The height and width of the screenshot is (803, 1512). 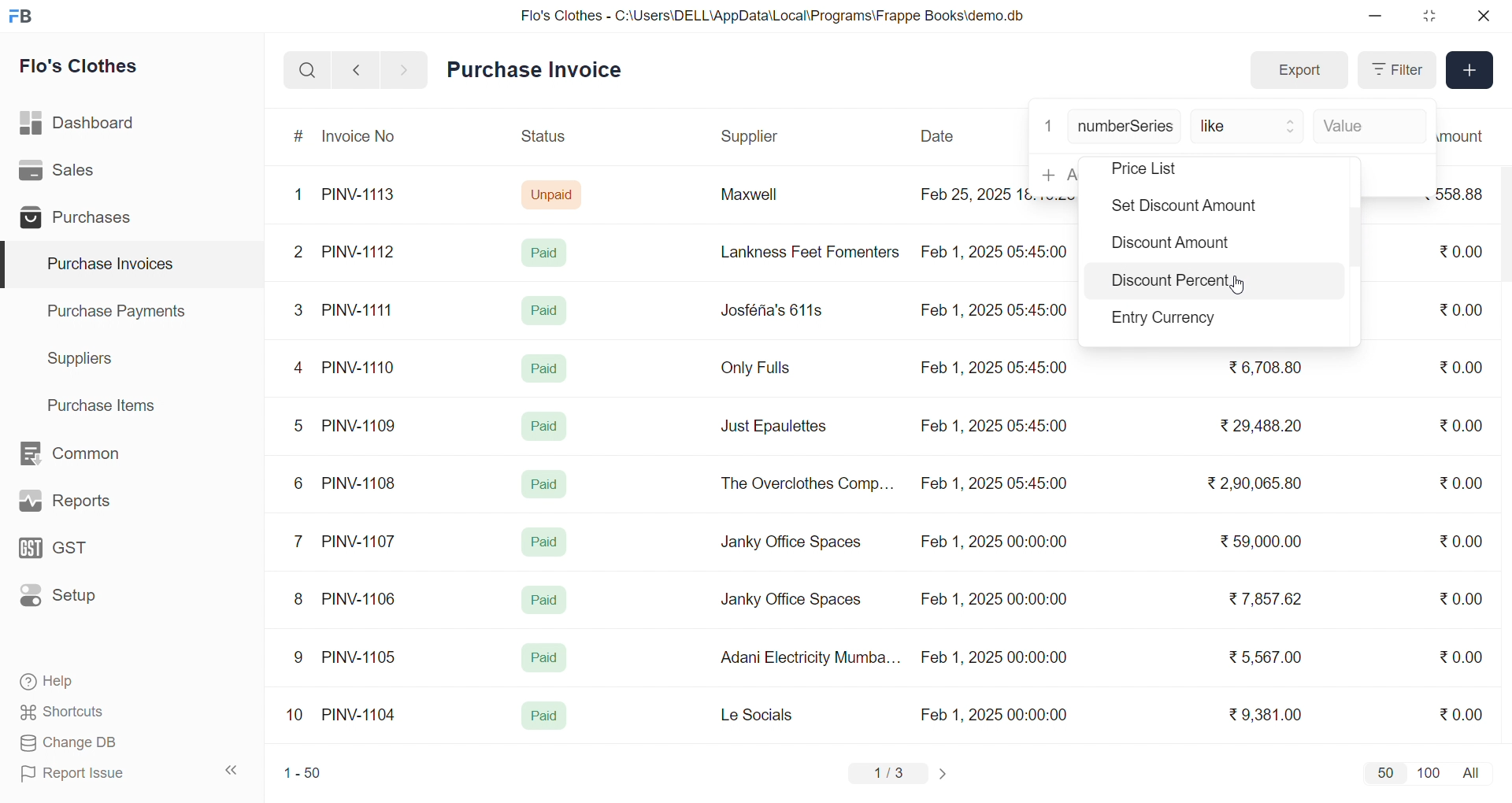 I want to click on Paid, so click(x=547, y=424).